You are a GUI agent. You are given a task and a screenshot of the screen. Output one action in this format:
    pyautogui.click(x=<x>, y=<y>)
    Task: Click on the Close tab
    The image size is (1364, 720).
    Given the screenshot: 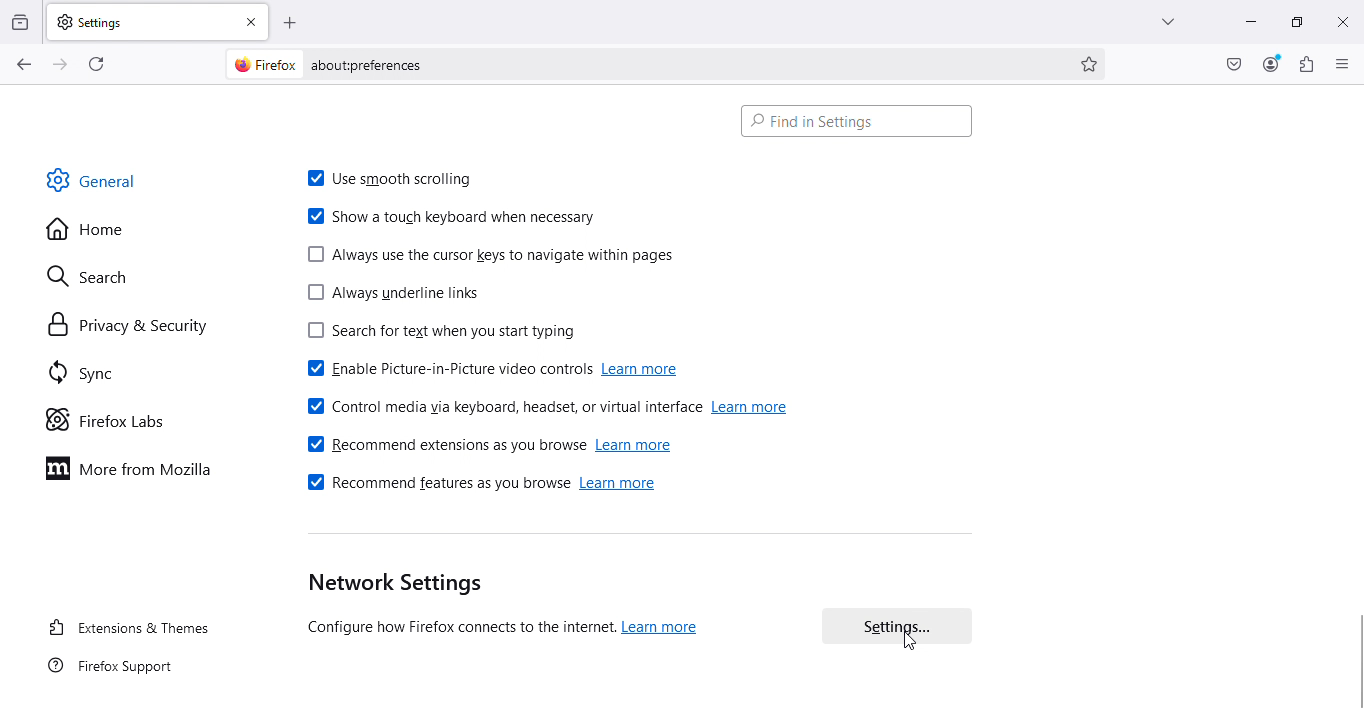 What is the action you would take?
    pyautogui.click(x=255, y=21)
    